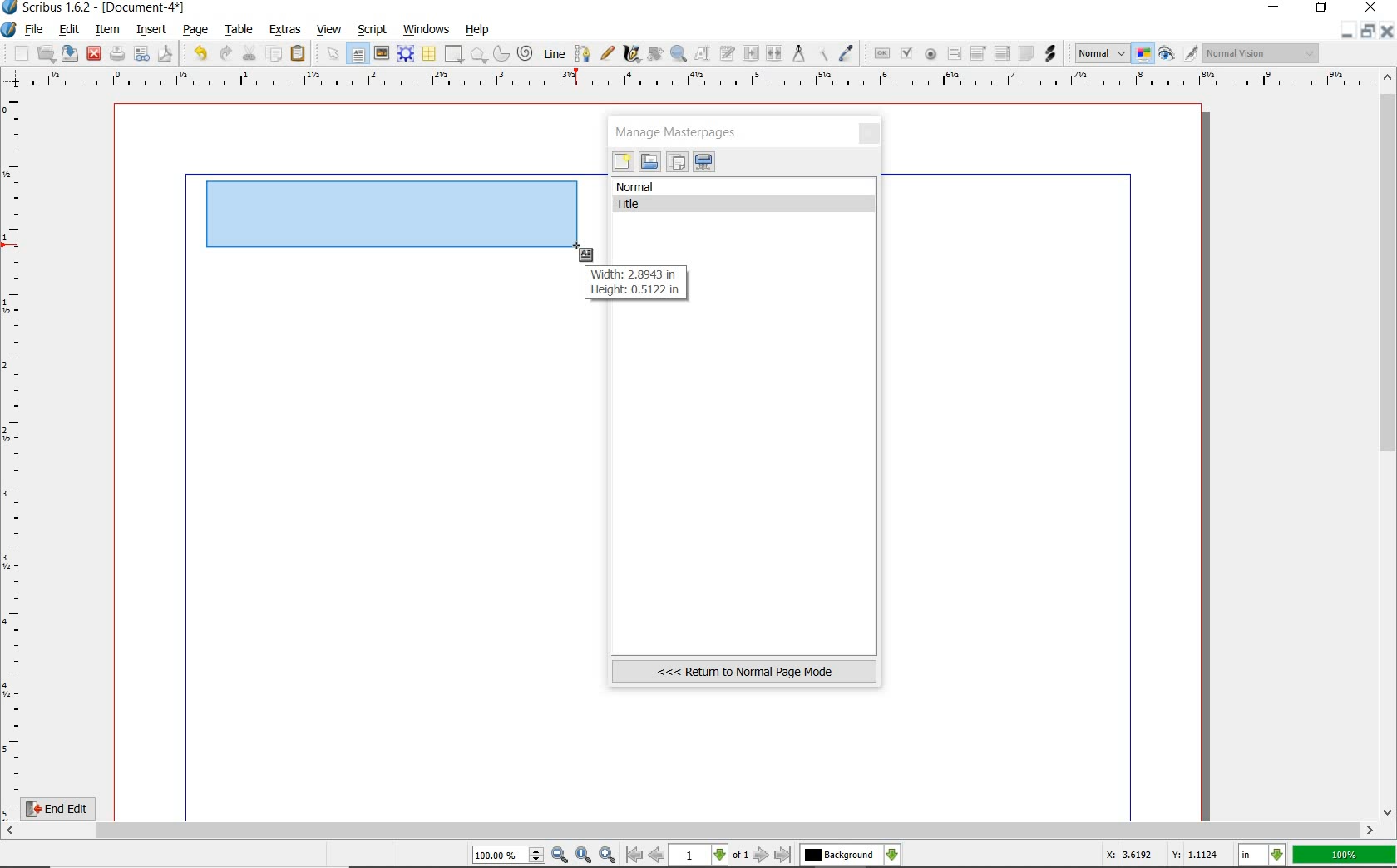 This screenshot has height=868, width=1397. I want to click on render frame, so click(406, 53).